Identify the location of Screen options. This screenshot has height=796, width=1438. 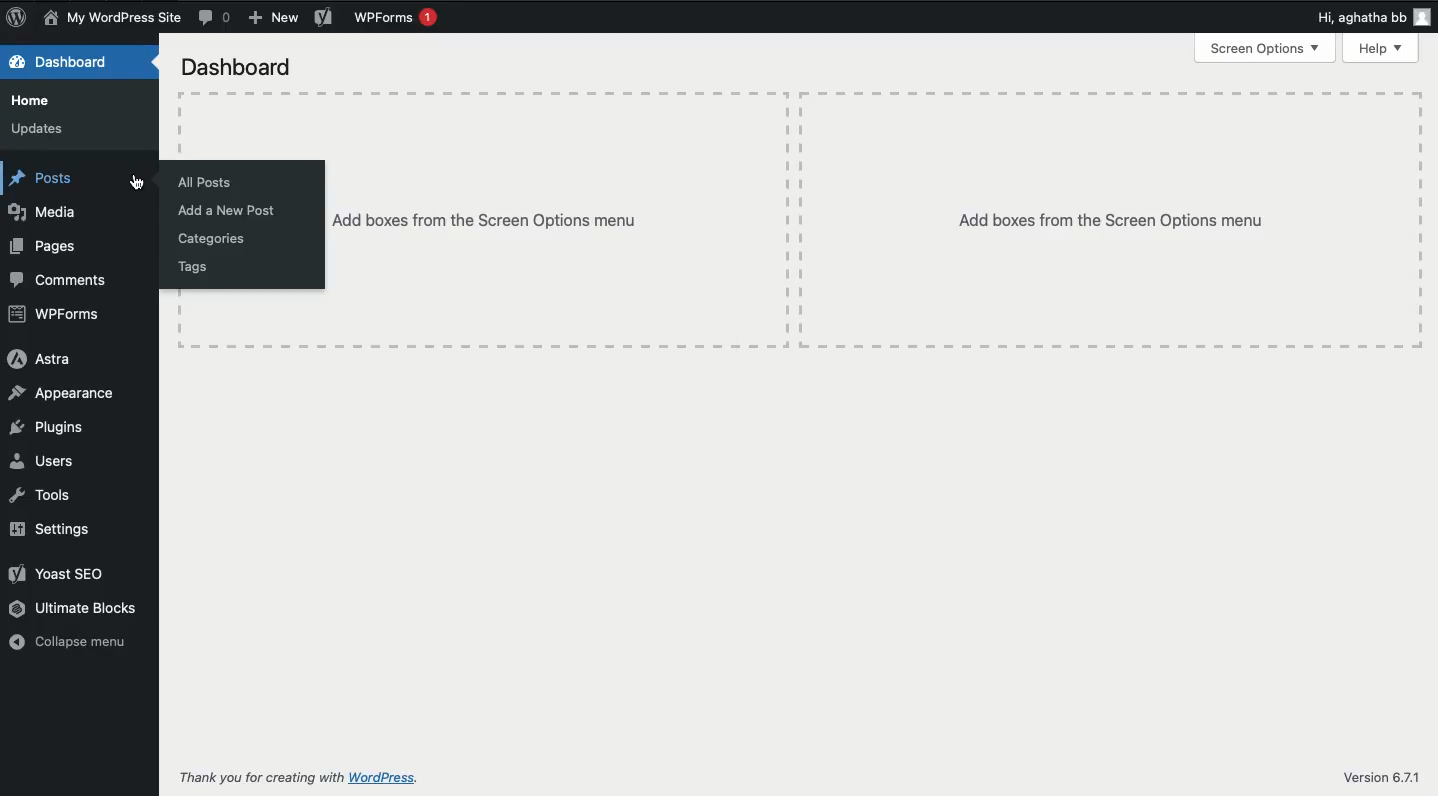
(1268, 48).